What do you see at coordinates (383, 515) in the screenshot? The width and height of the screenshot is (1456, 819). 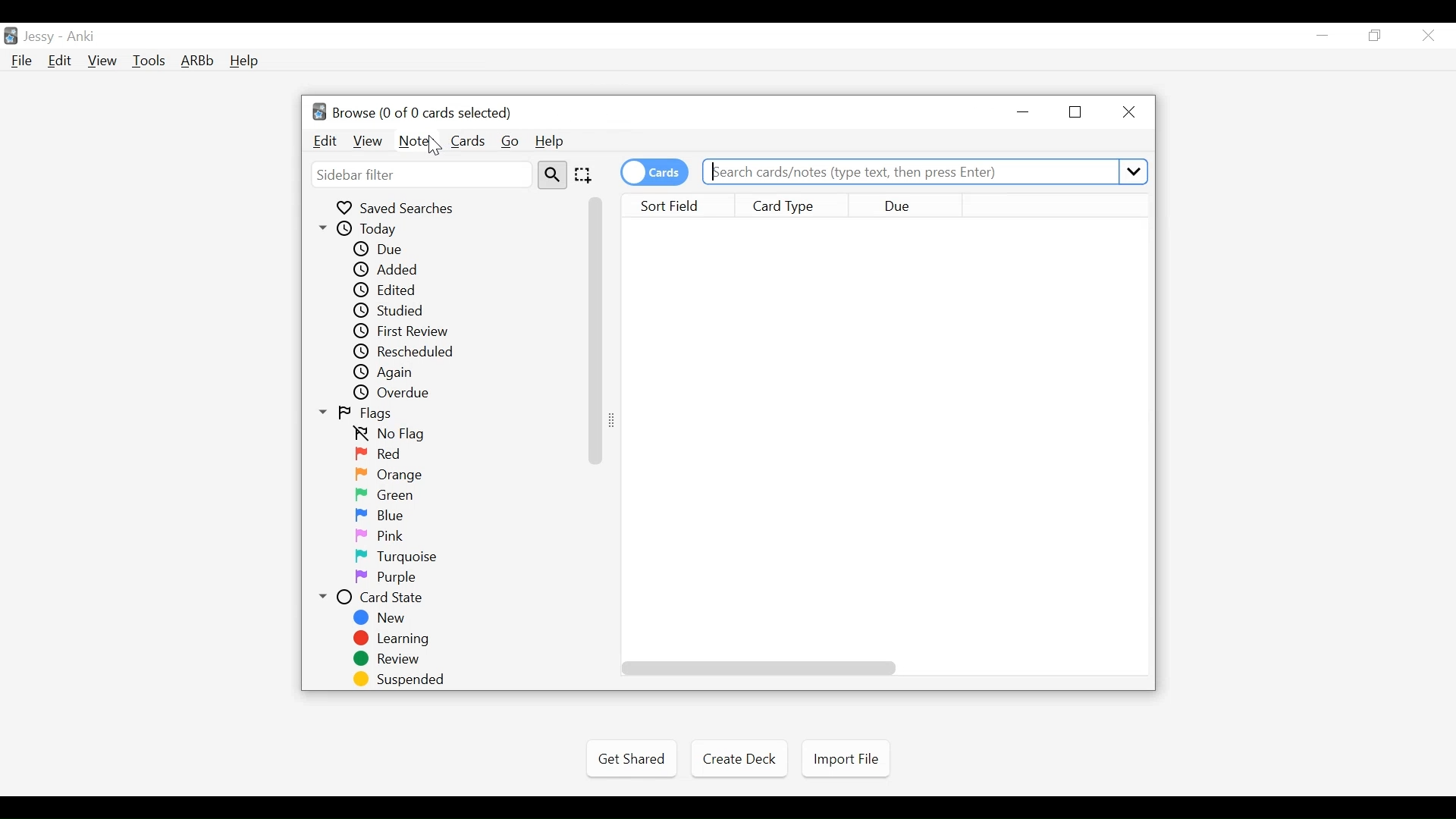 I see `Blue` at bounding box center [383, 515].